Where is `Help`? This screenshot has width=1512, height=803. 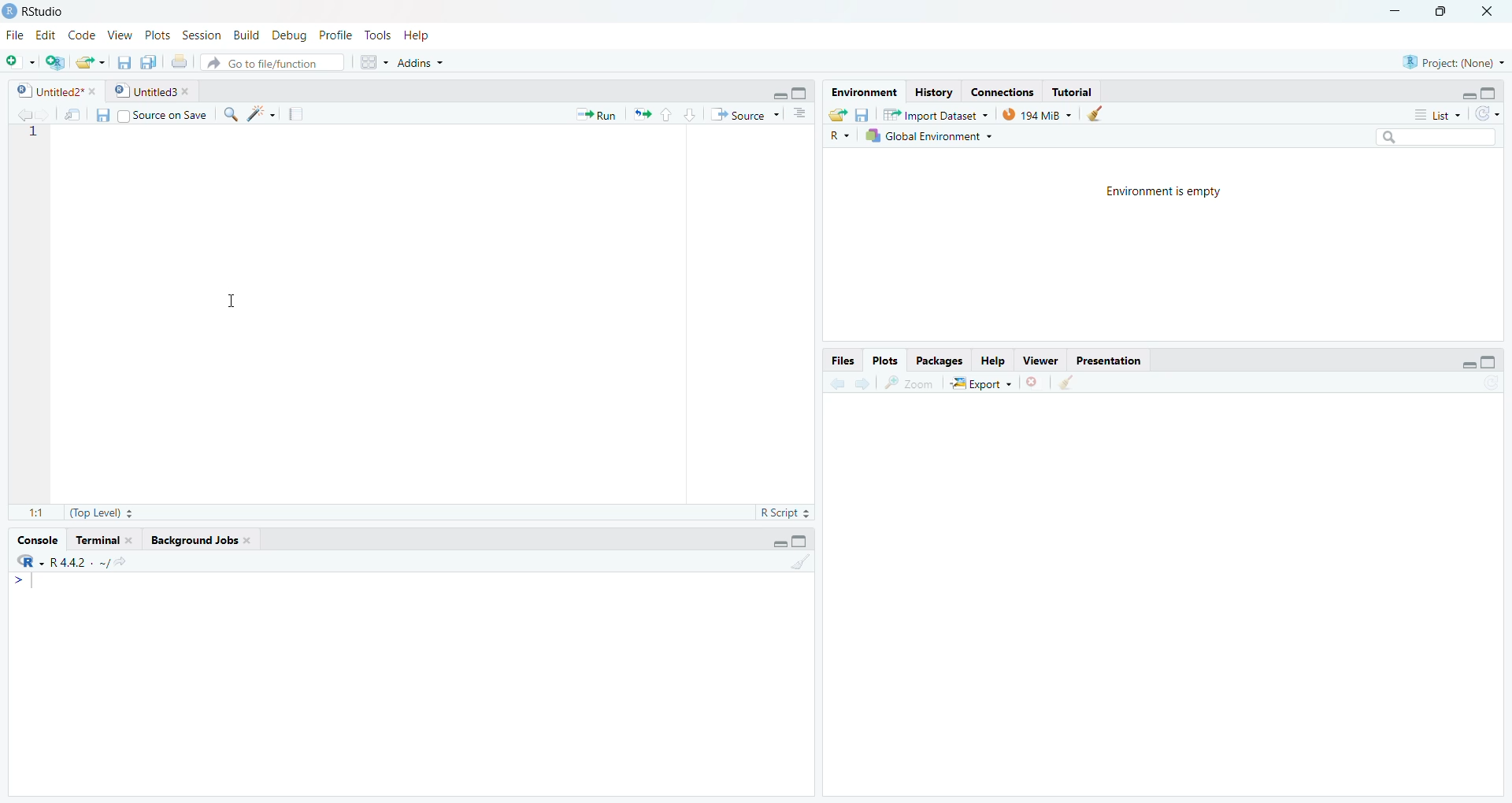 Help is located at coordinates (416, 35).